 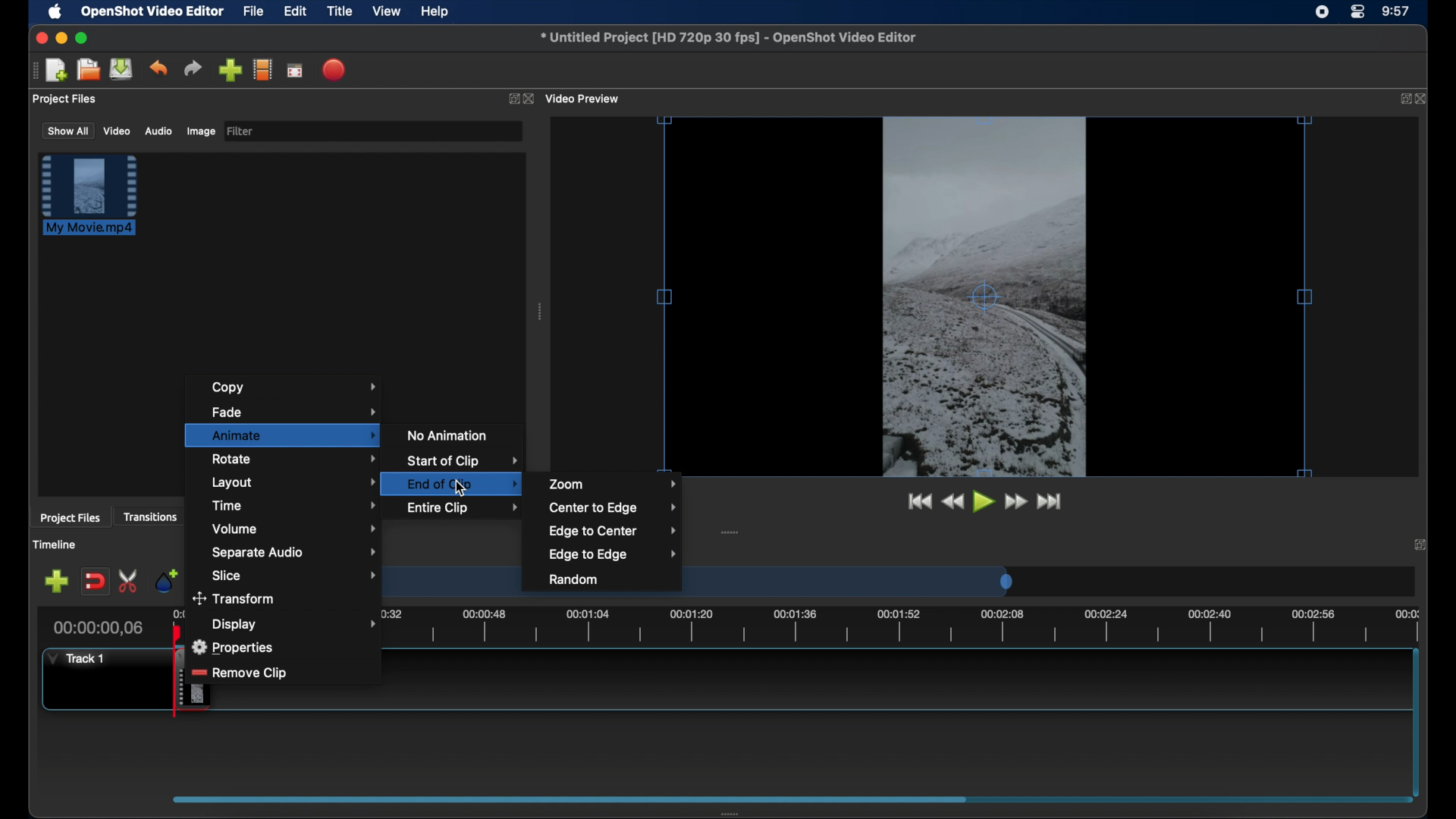 I want to click on expand, so click(x=1423, y=544).